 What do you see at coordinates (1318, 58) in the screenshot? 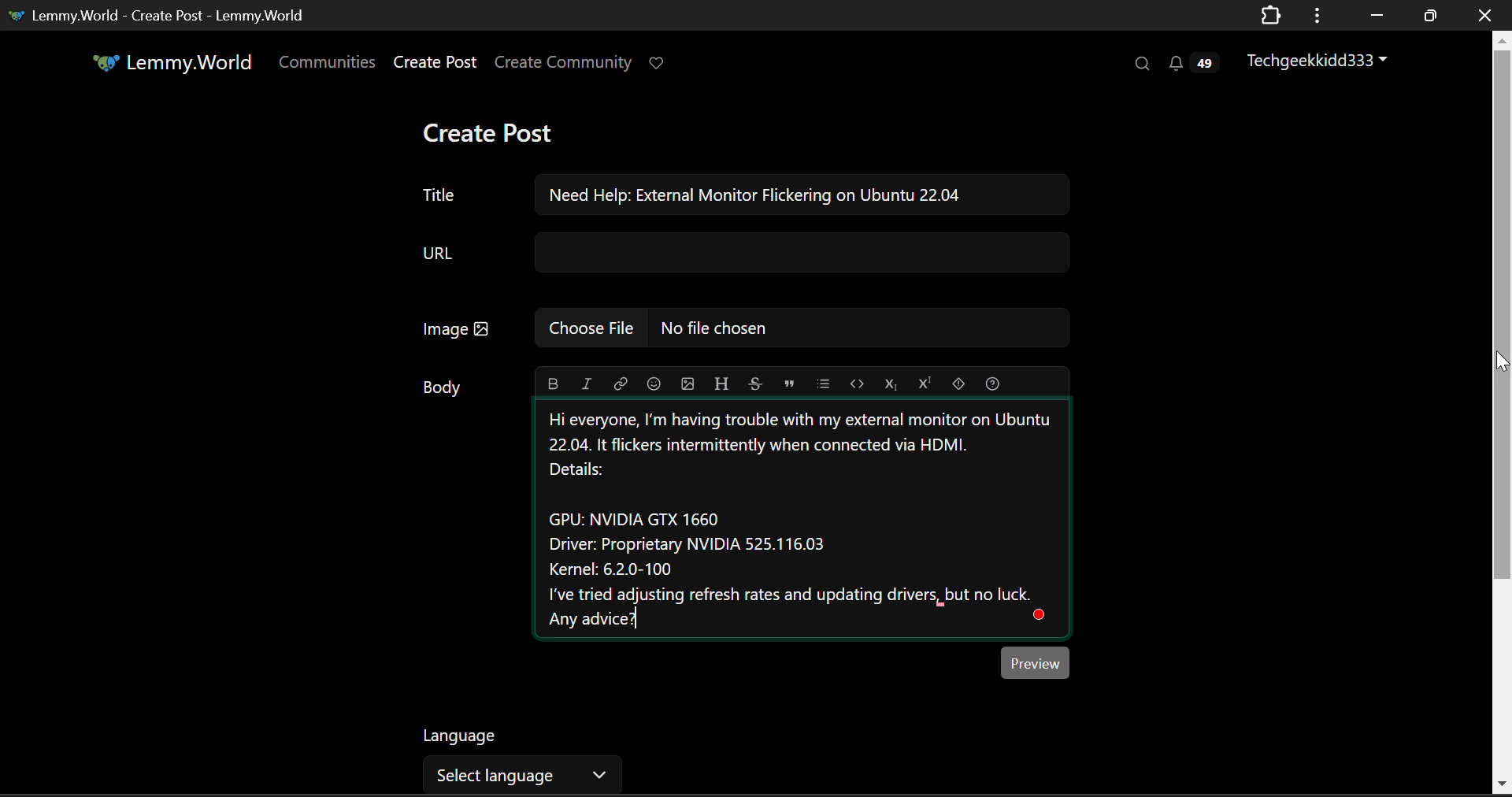
I see `Techgeekkidd333` at bounding box center [1318, 58].